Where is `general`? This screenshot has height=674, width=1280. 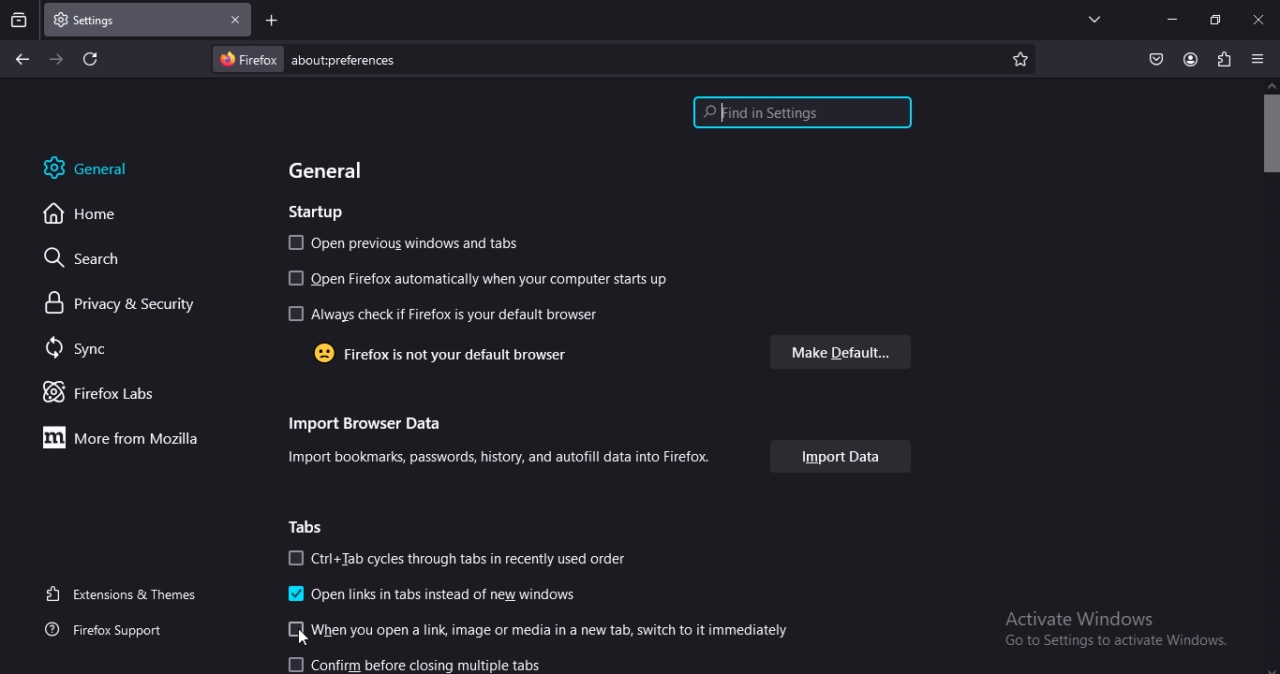
general is located at coordinates (334, 171).